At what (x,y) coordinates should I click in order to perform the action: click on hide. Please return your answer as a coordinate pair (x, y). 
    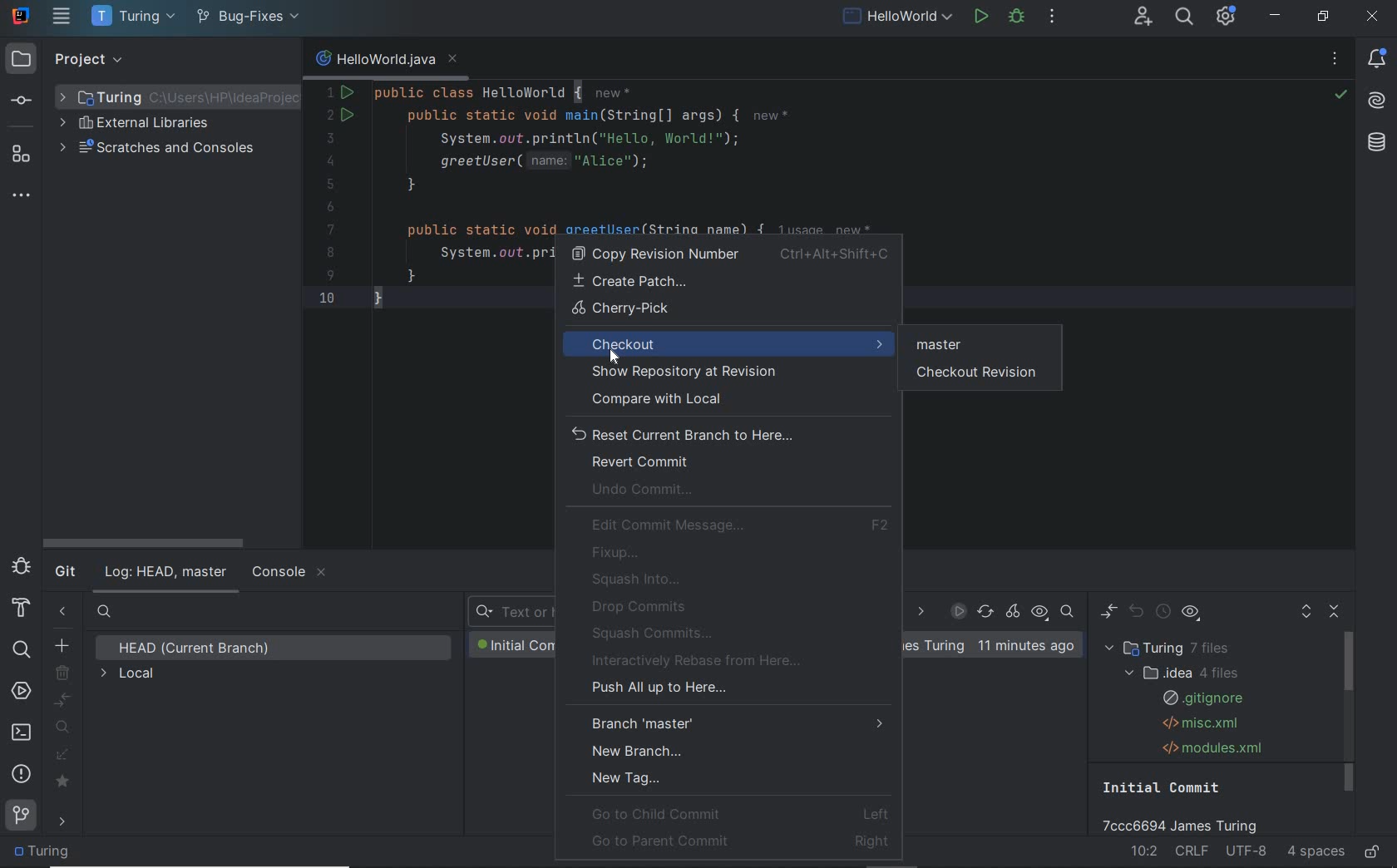
    Looking at the image, I should click on (278, 60).